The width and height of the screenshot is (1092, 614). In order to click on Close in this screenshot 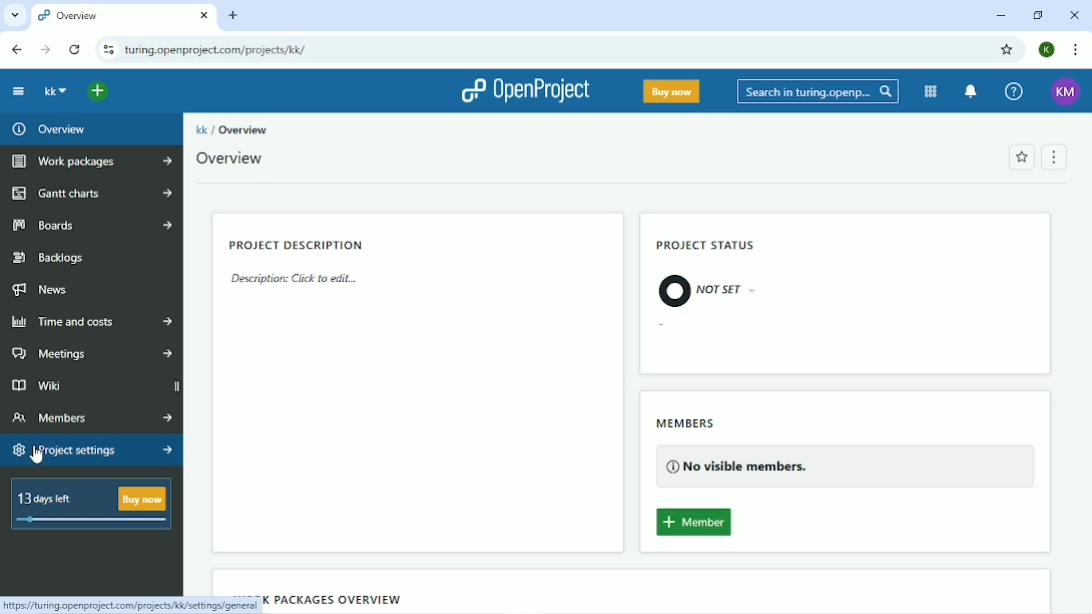, I will do `click(1074, 14)`.